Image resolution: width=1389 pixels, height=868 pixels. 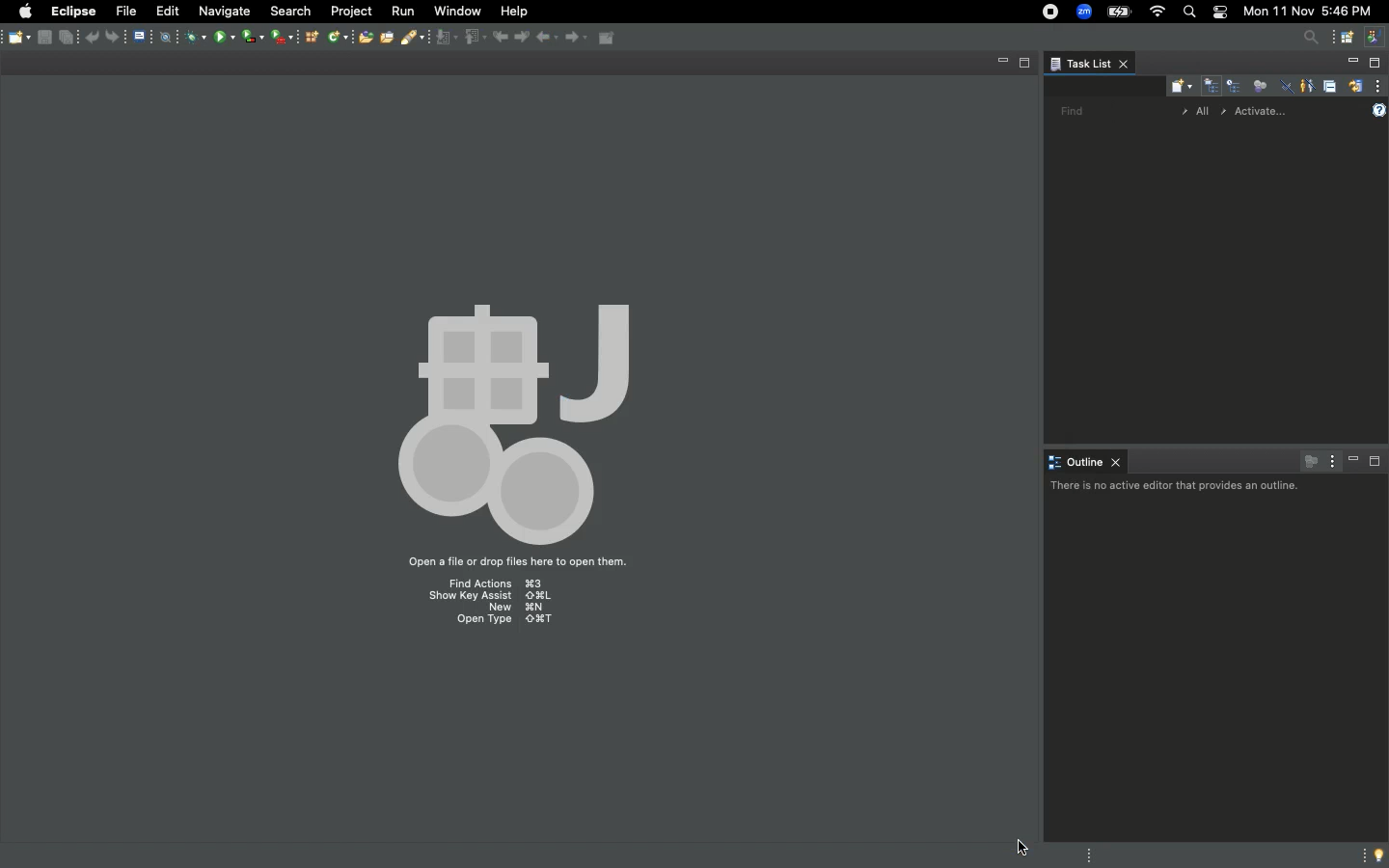 I want to click on Recording, so click(x=1047, y=12).